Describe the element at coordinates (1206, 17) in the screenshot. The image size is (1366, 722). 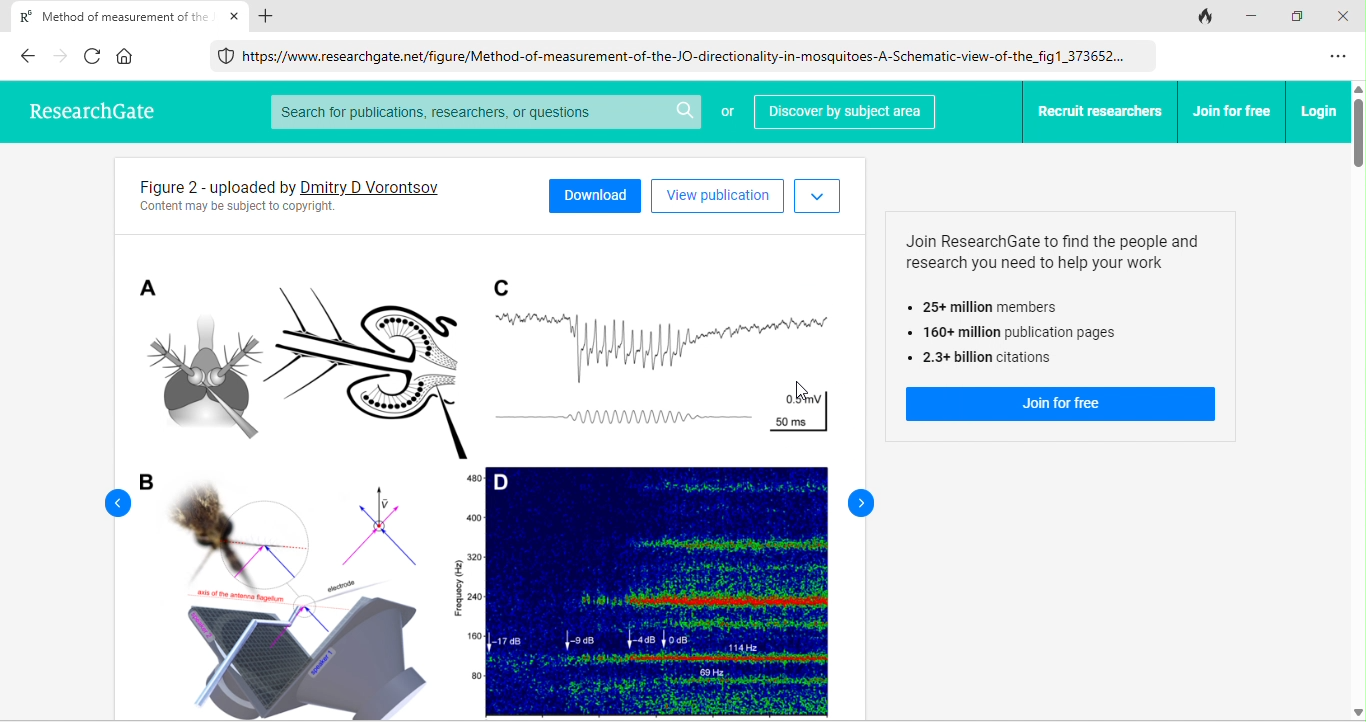
I see `track tab` at that location.